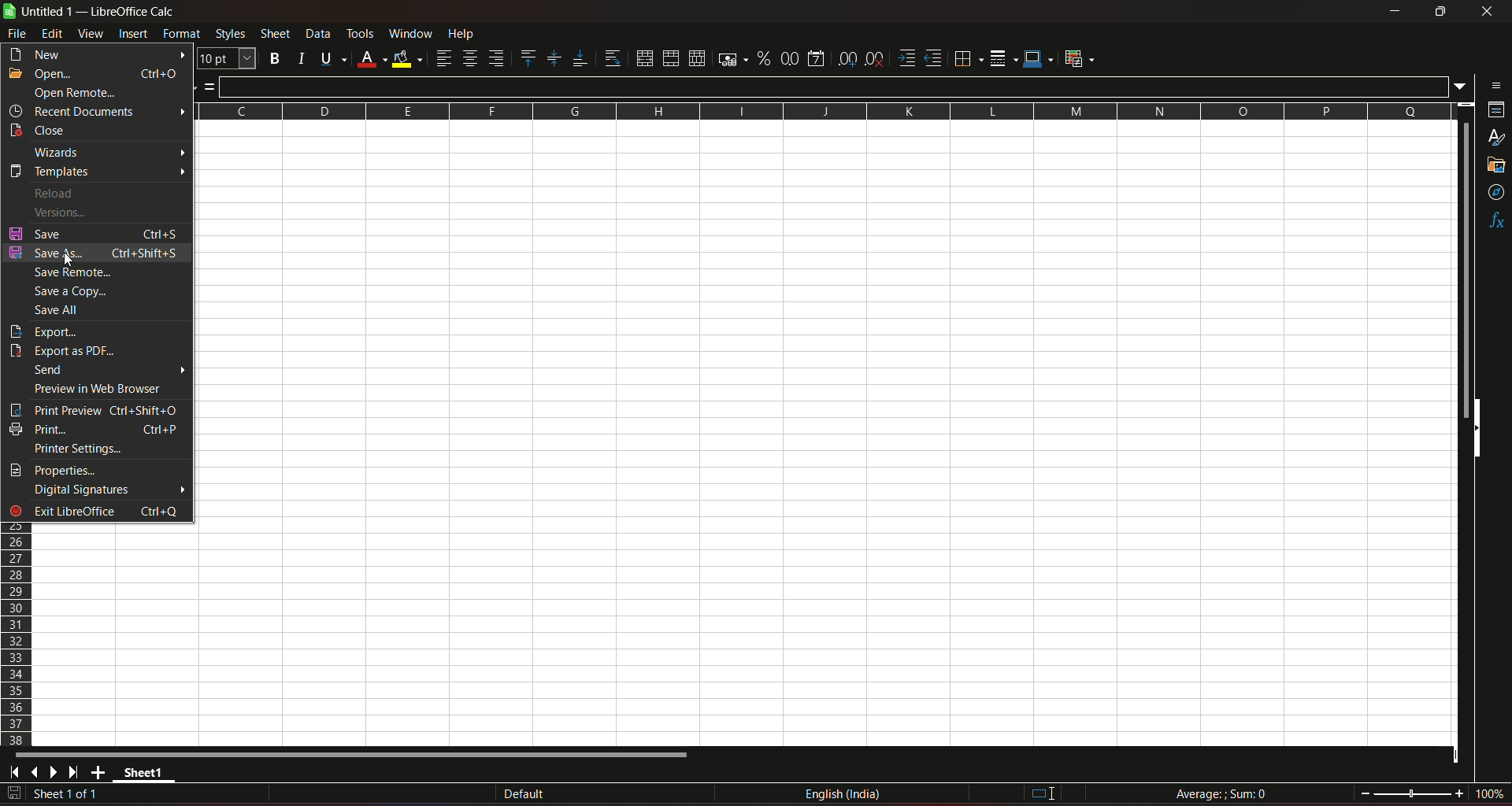 The width and height of the screenshot is (1512, 806). I want to click on export, so click(43, 332).